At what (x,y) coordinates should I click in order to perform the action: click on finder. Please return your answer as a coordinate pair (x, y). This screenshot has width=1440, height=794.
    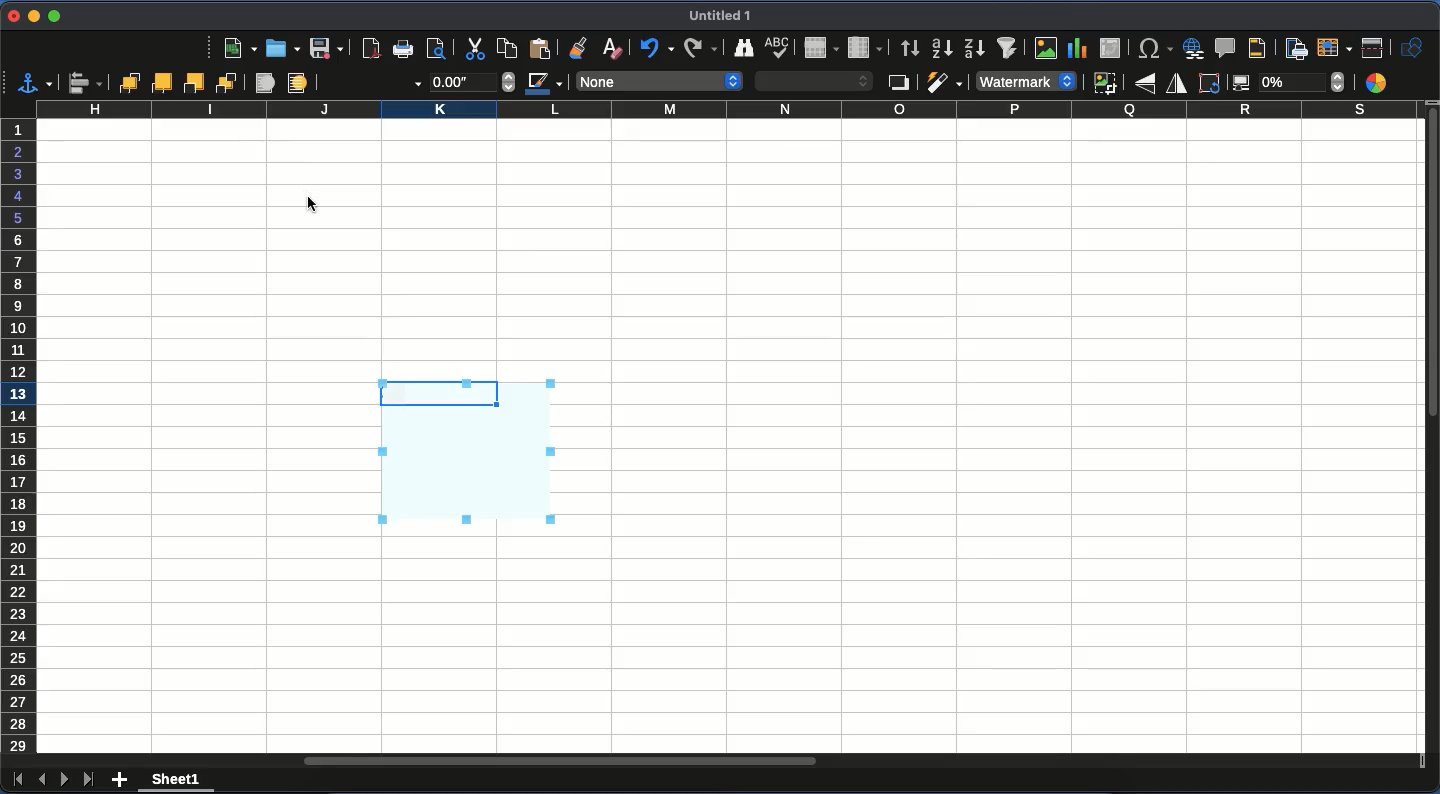
    Looking at the image, I should click on (742, 47).